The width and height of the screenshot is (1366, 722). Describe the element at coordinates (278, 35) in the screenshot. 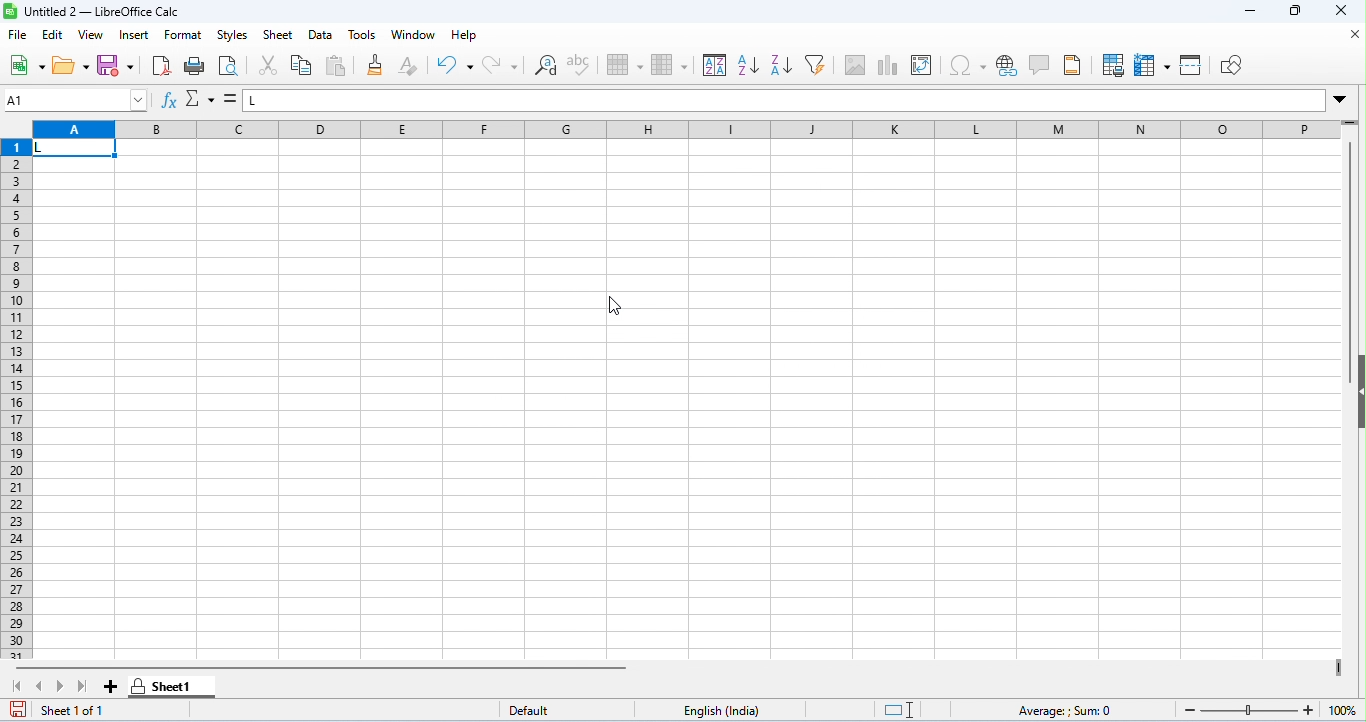

I see `sheet` at that location.